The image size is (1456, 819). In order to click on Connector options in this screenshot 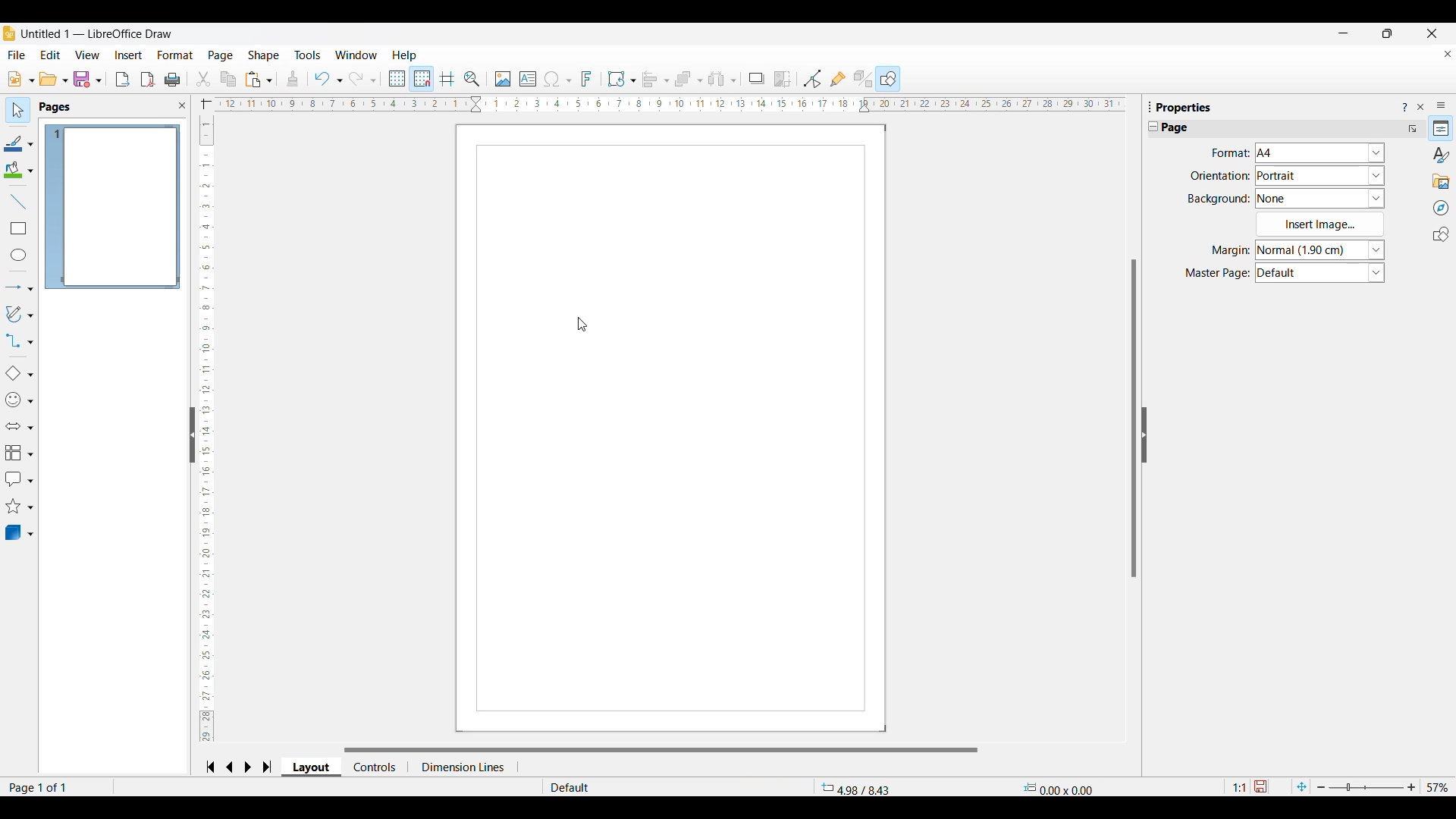, I will do `click(19, 340)`.